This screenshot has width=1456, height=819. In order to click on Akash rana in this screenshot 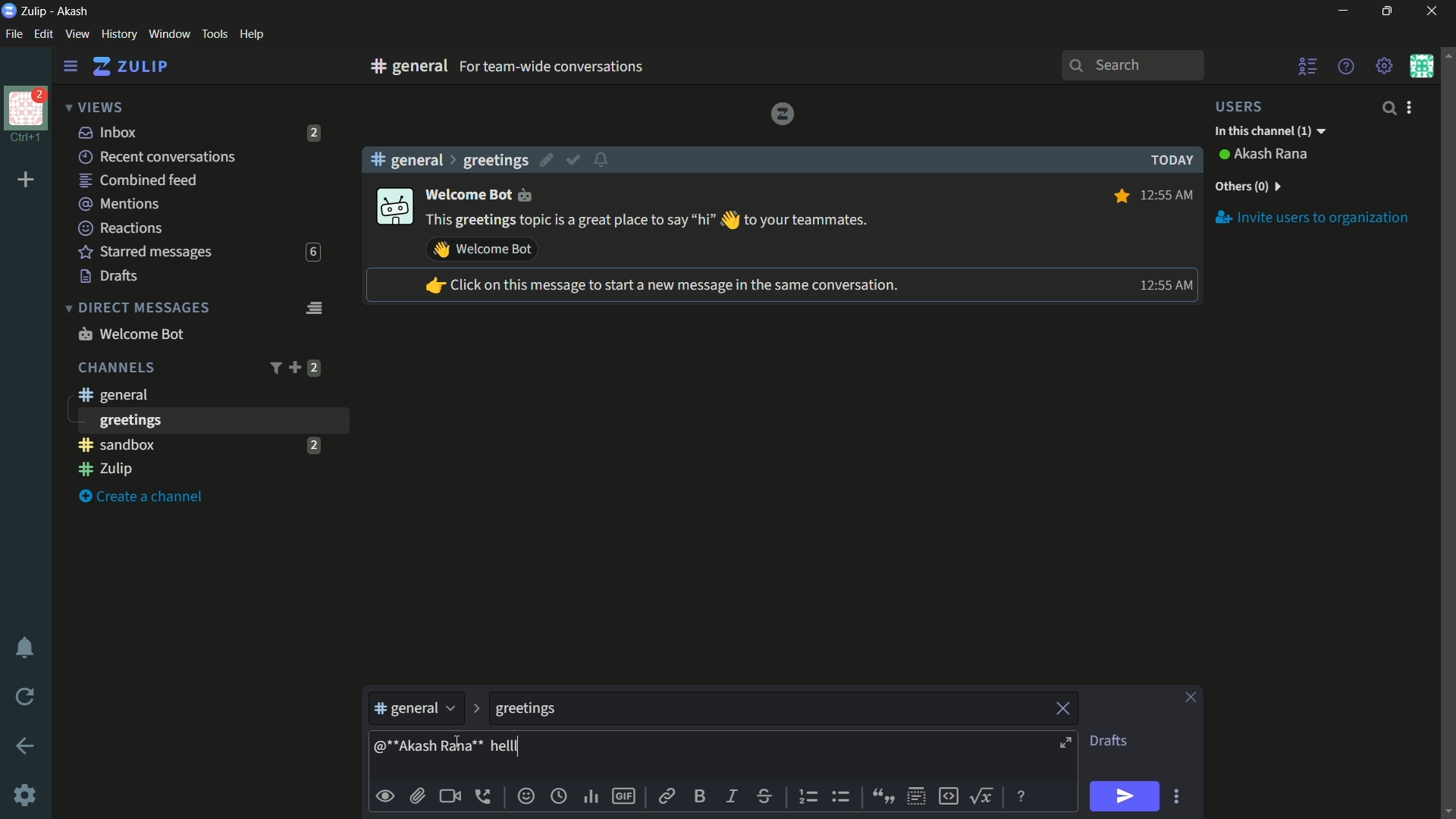, I will do `click(1272, 155)`.